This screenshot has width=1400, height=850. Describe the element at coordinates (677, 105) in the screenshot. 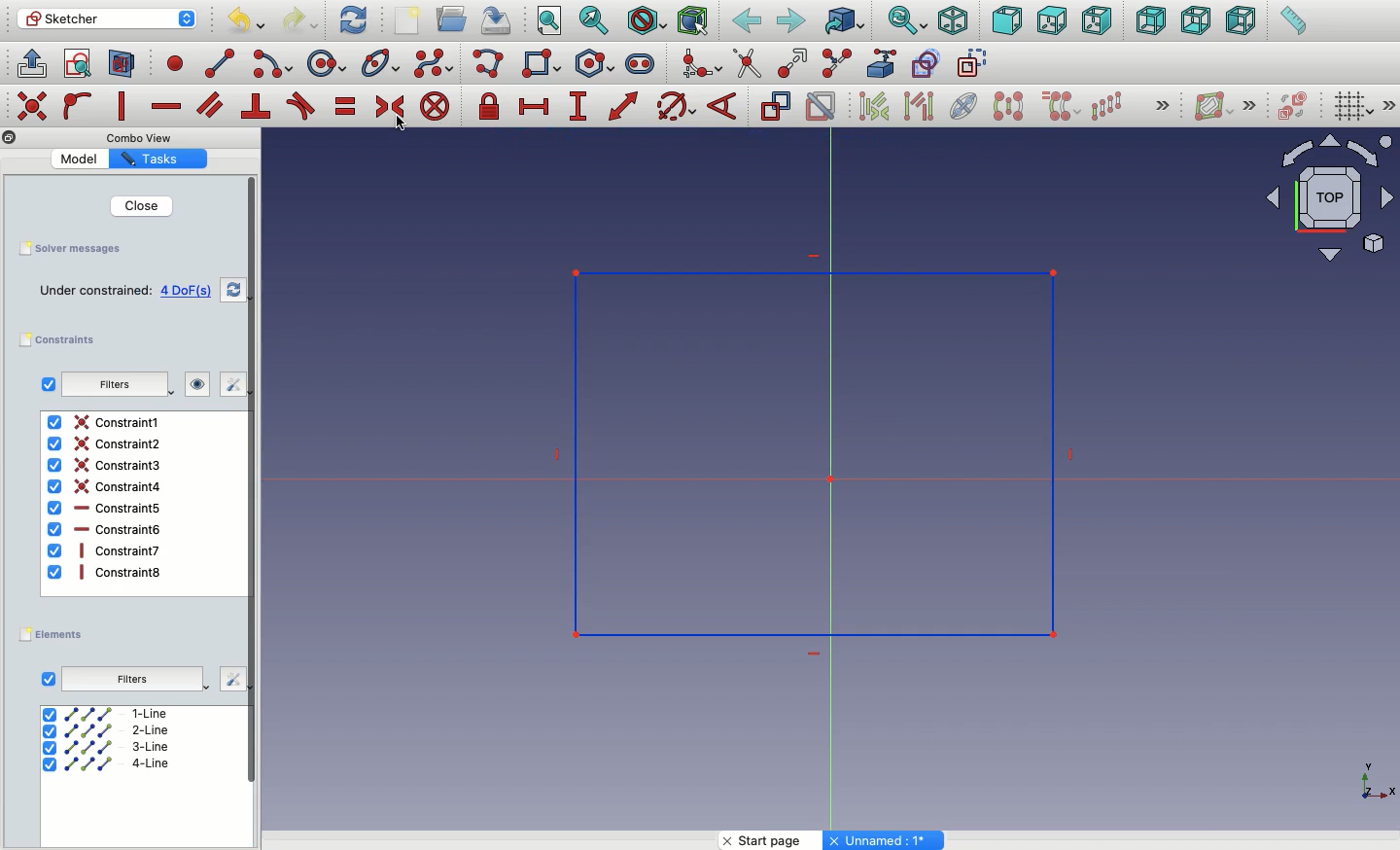

I see `constrain circle ` at that location.